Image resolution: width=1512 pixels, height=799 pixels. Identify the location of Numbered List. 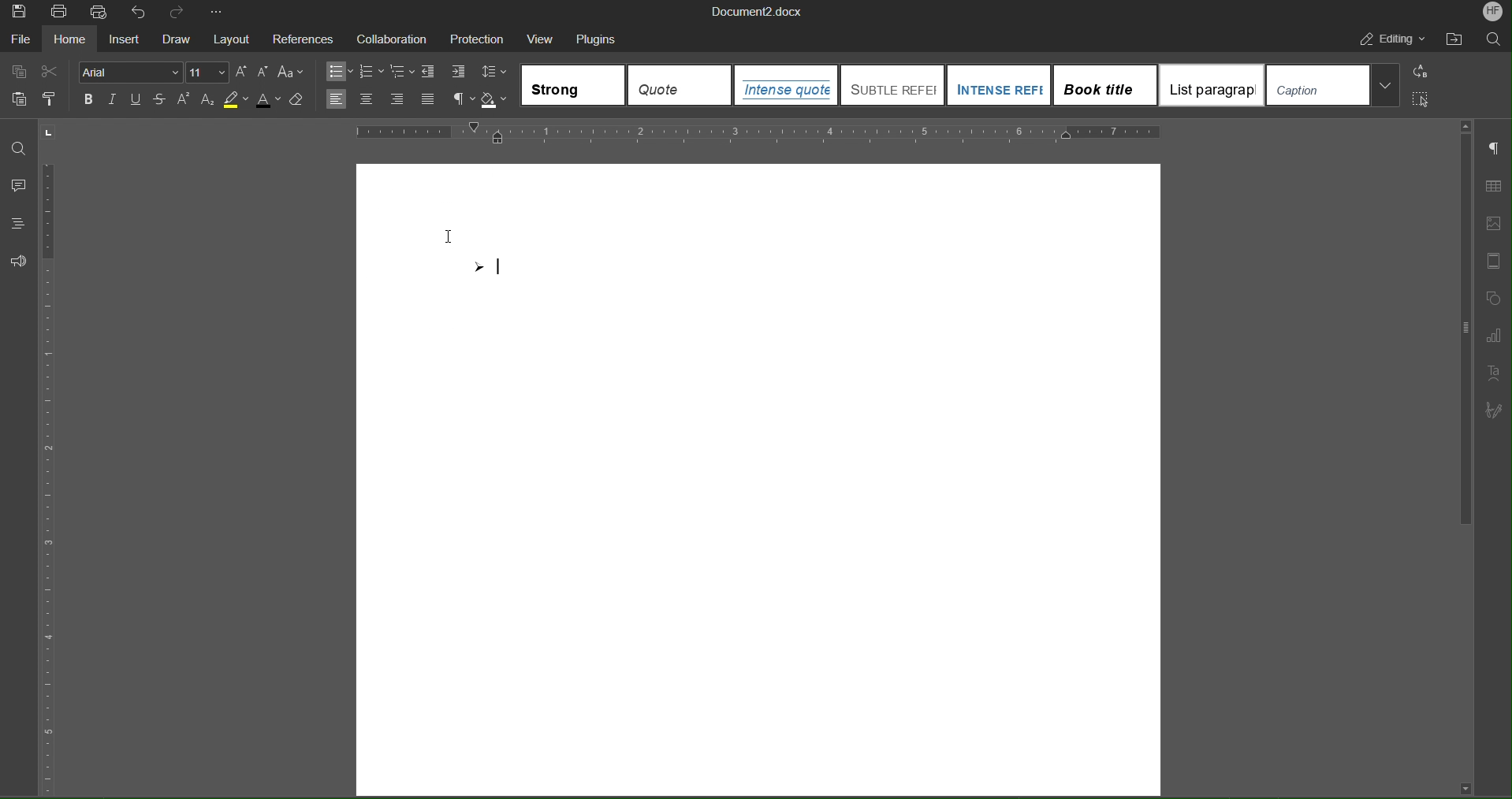
(375, 71).